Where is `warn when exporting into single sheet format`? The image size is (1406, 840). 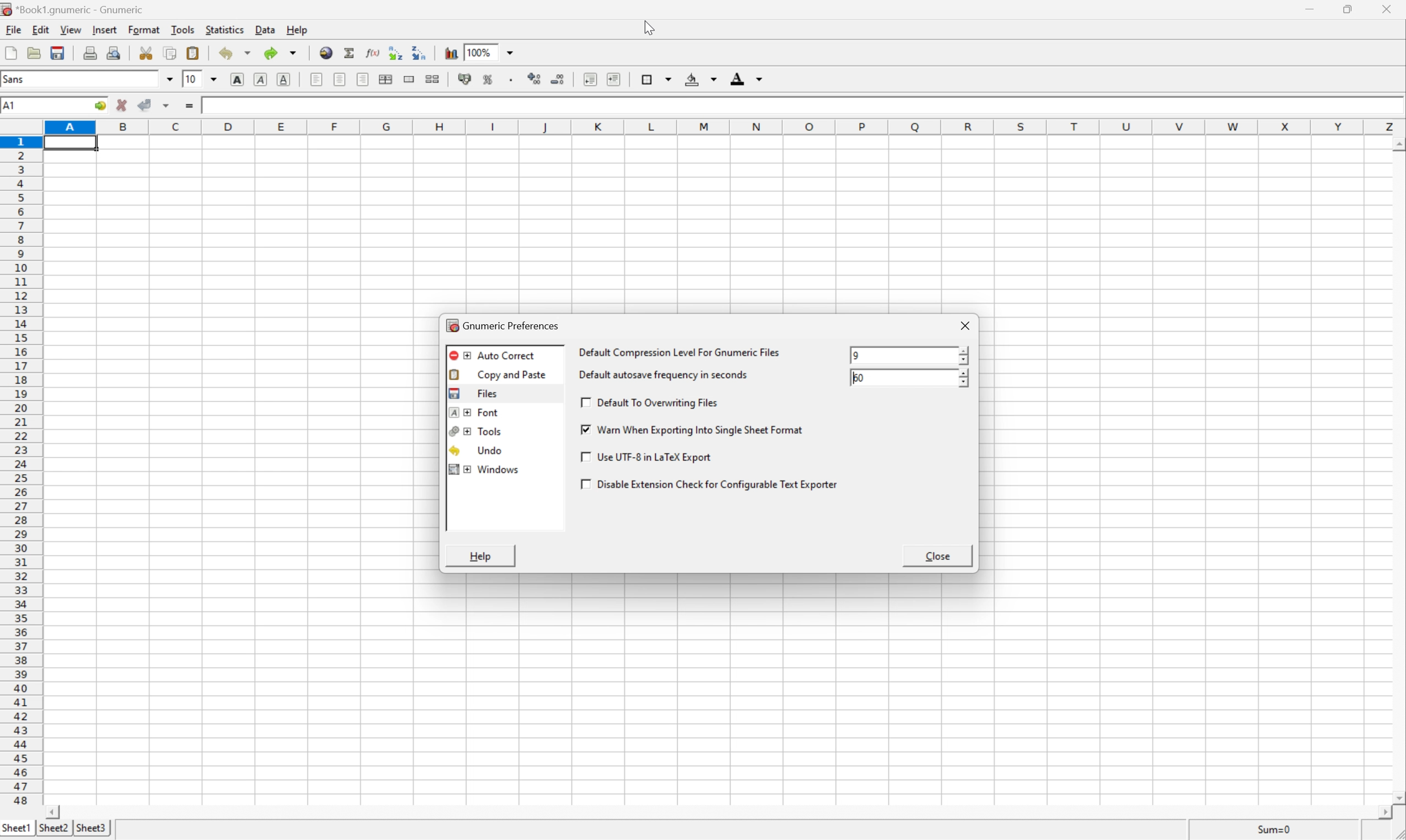 warn when exporting into single sheet format is located at coordinates (691, 428).